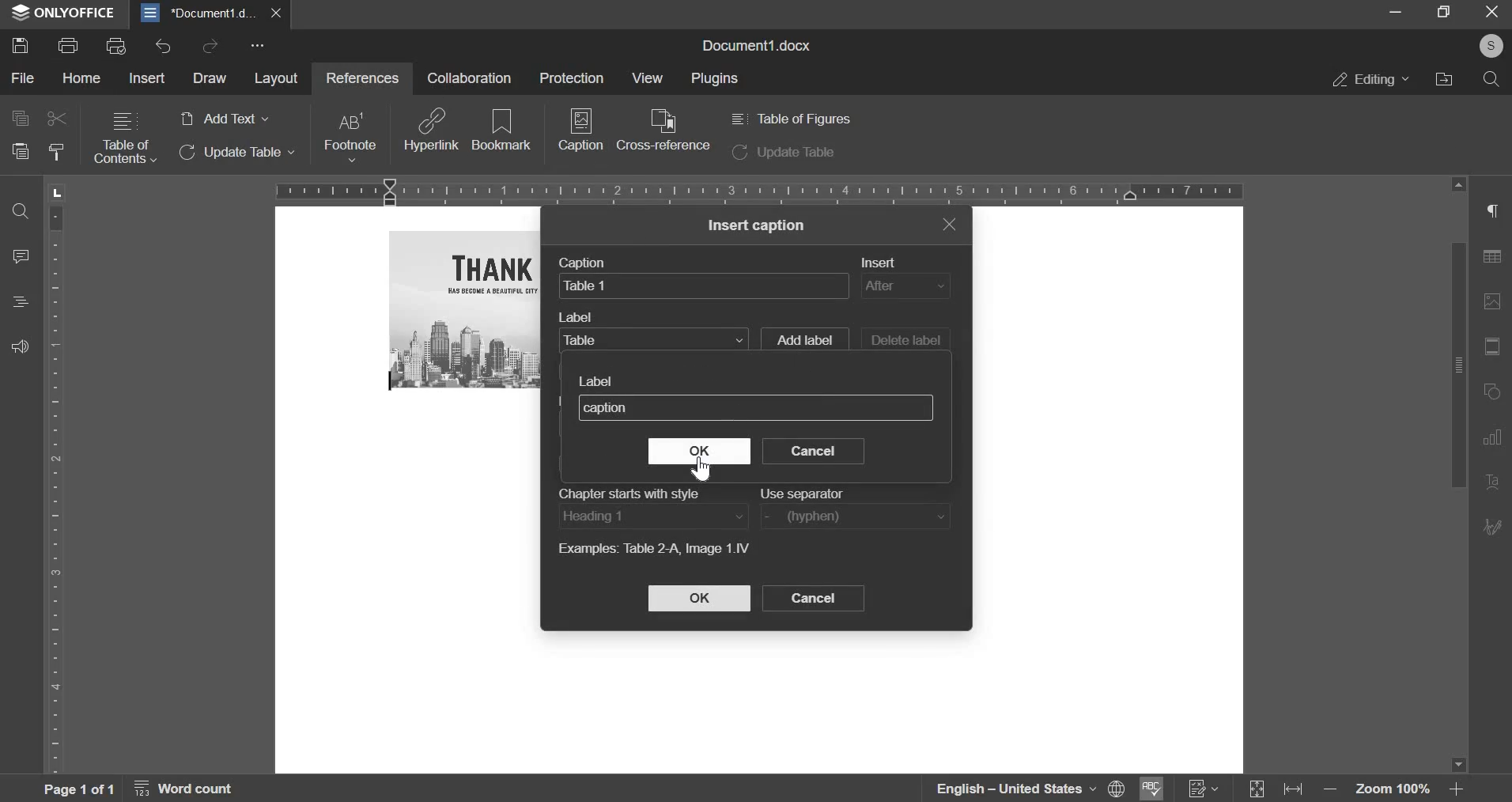 The image size is (1512, 802). What do you see at coordinates (1204, 789) in the screenshot?
I see `Track Changes` at bounding box center [1204, 789].